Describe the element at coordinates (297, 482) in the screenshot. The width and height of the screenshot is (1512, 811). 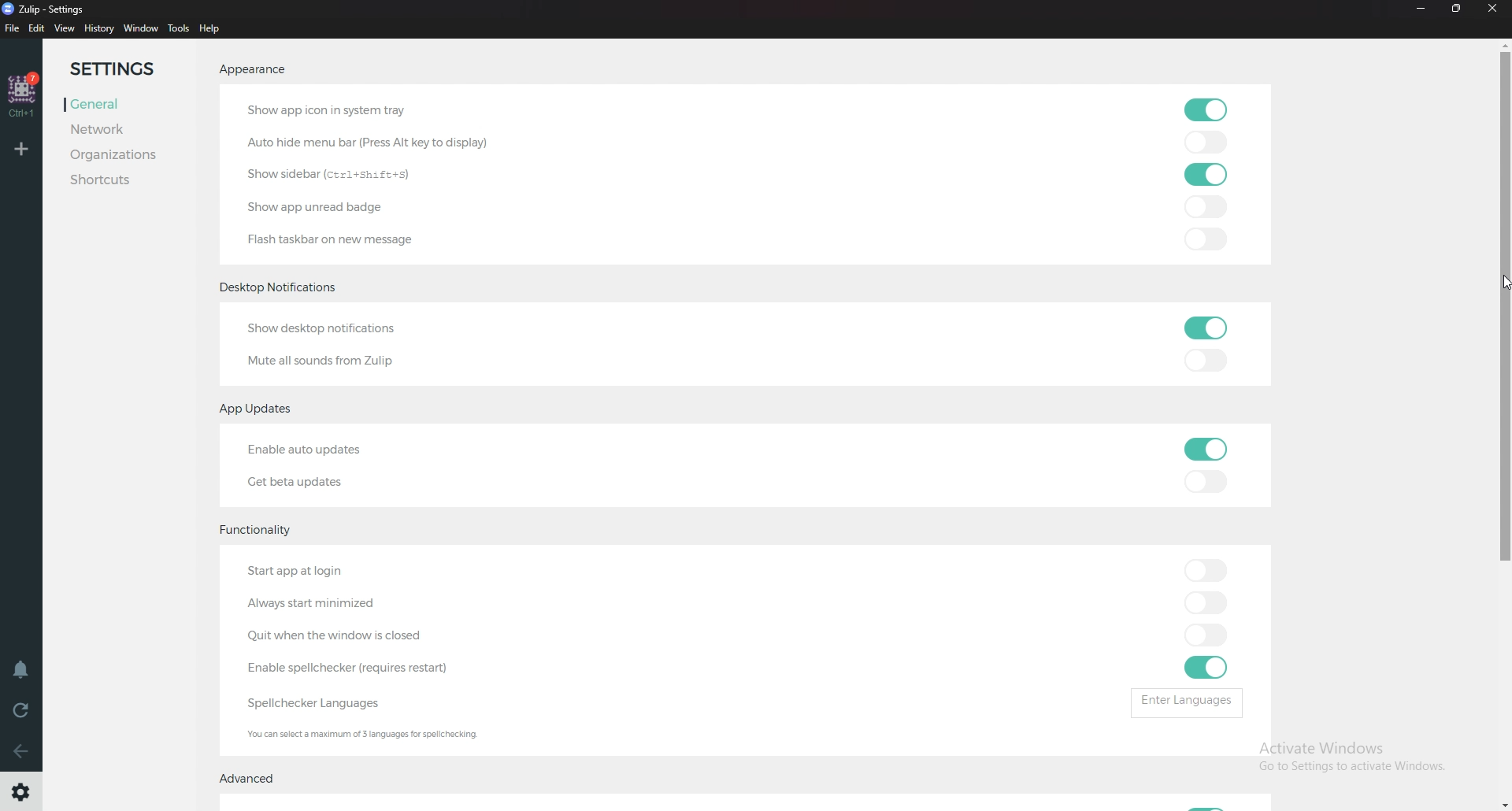
I see `Get beta updates` at that location.